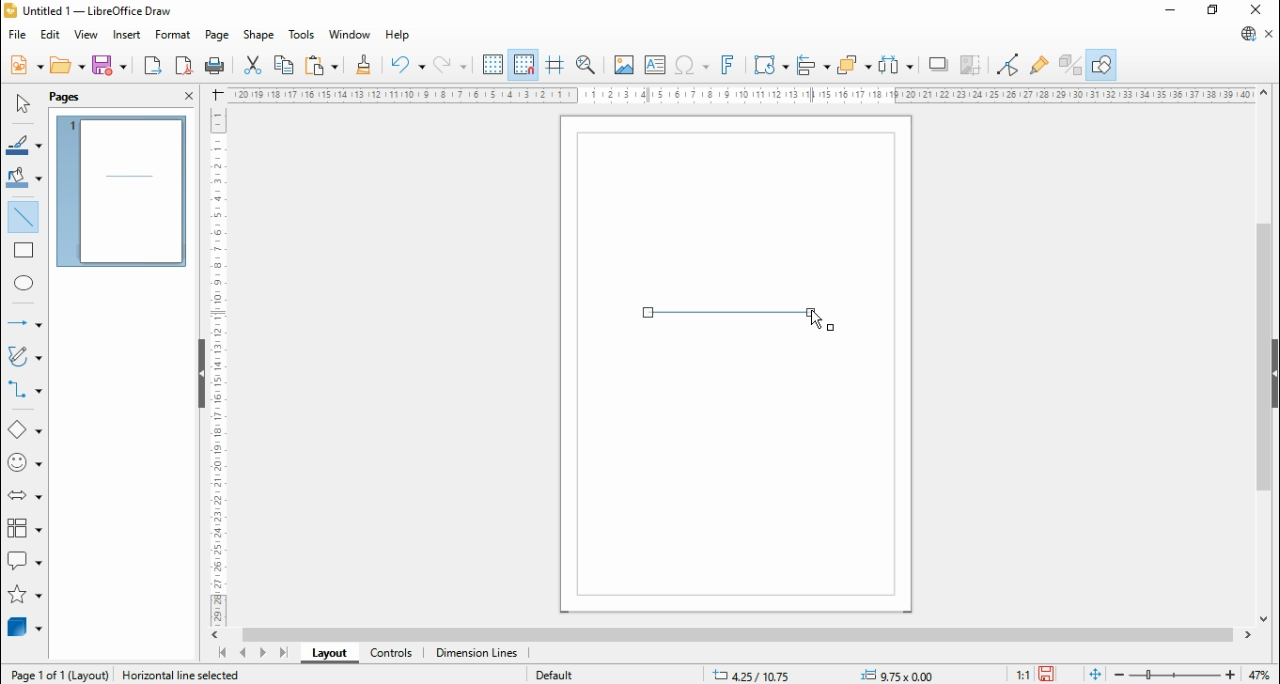 The image size is (1280, 684). Describe the element at coordinates (322, 64) in the screenshot. I see `paste` at that location.